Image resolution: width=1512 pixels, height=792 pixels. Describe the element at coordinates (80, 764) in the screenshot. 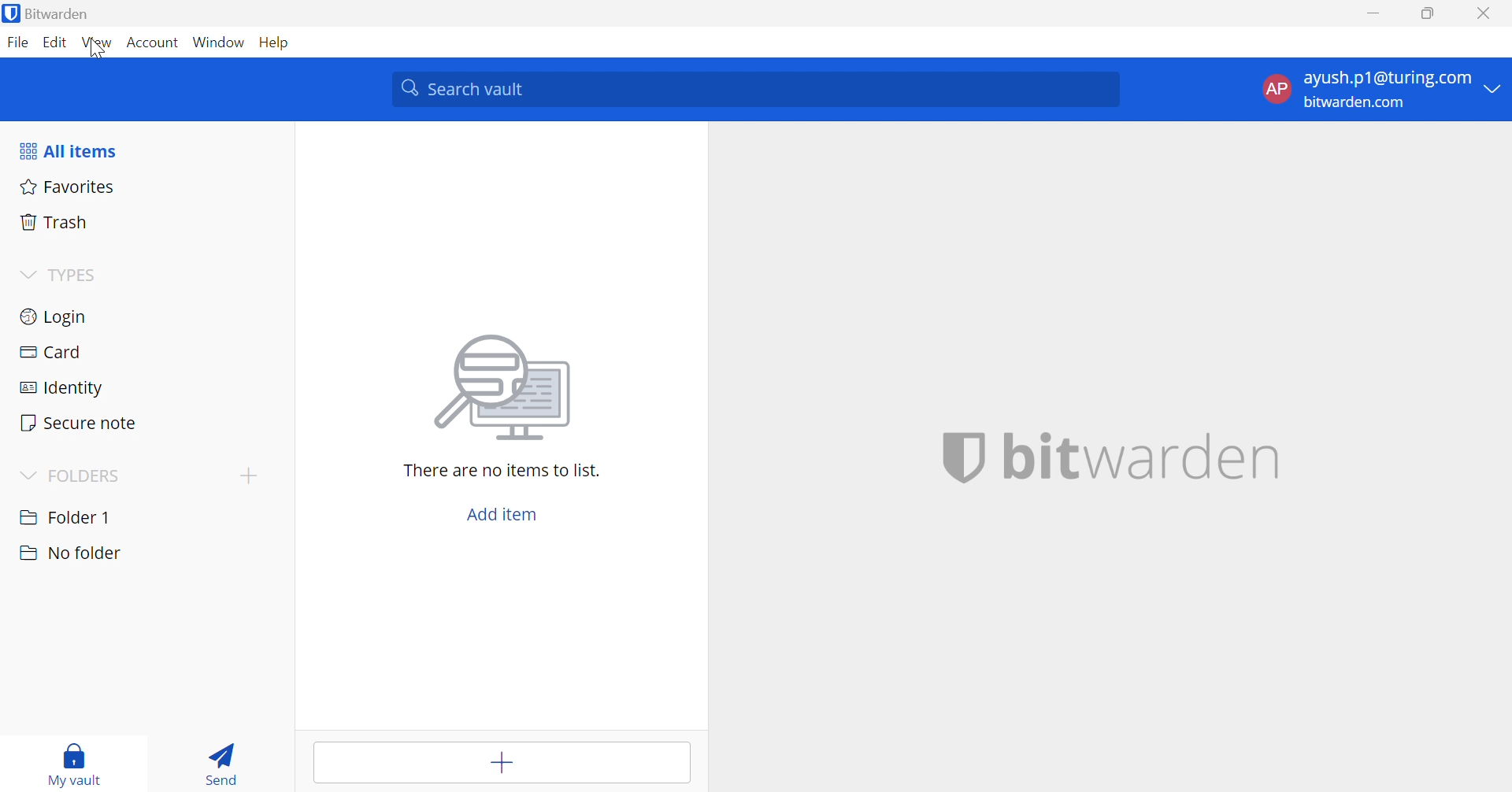

I see `My vault` at that location.